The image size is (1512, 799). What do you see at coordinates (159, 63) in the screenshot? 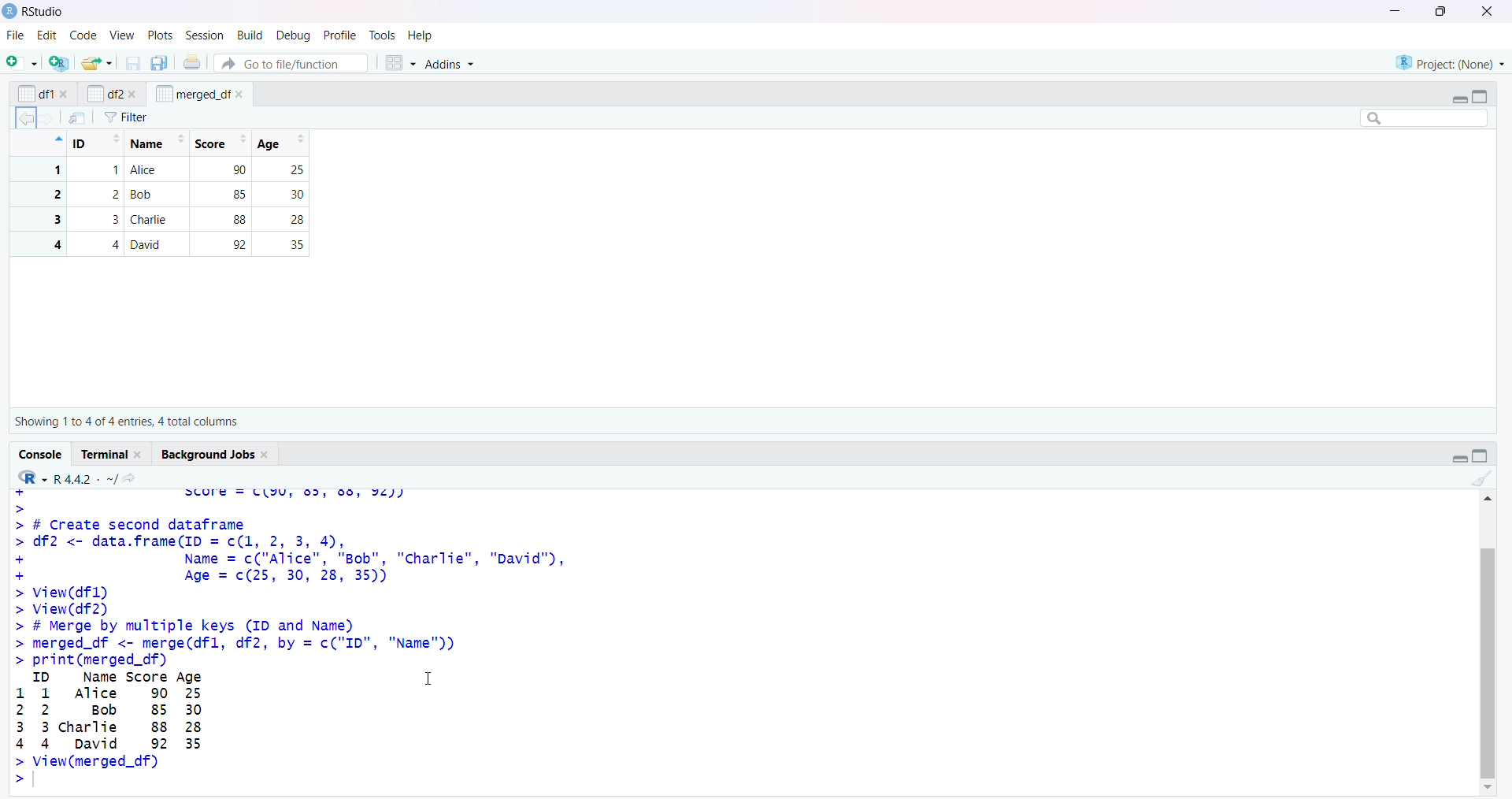
I see `copy` at bounding box center [159, 63].